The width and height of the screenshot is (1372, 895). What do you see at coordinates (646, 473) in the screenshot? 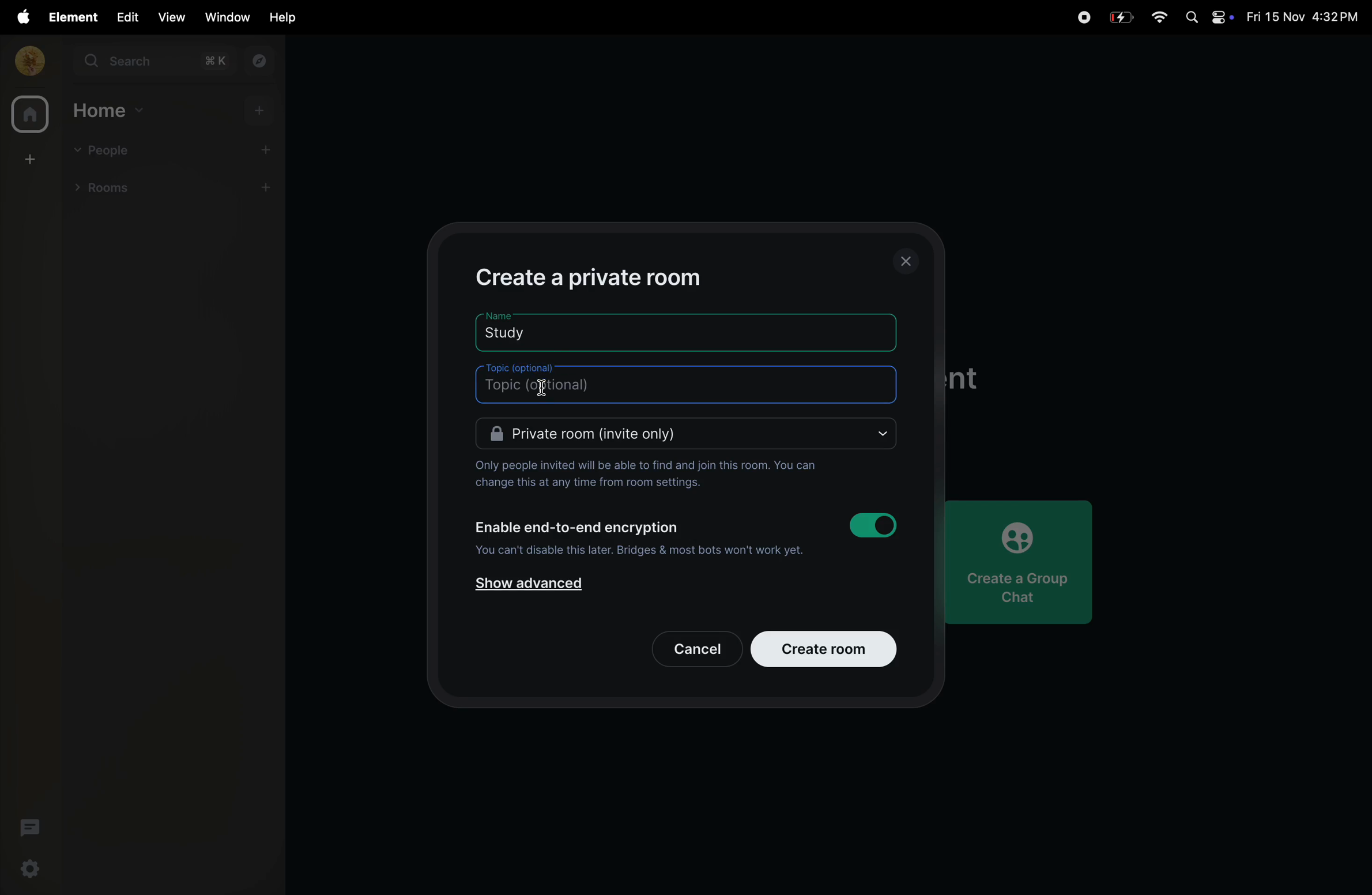
I see `only invited people can join them` at bounding box center [646, 473].